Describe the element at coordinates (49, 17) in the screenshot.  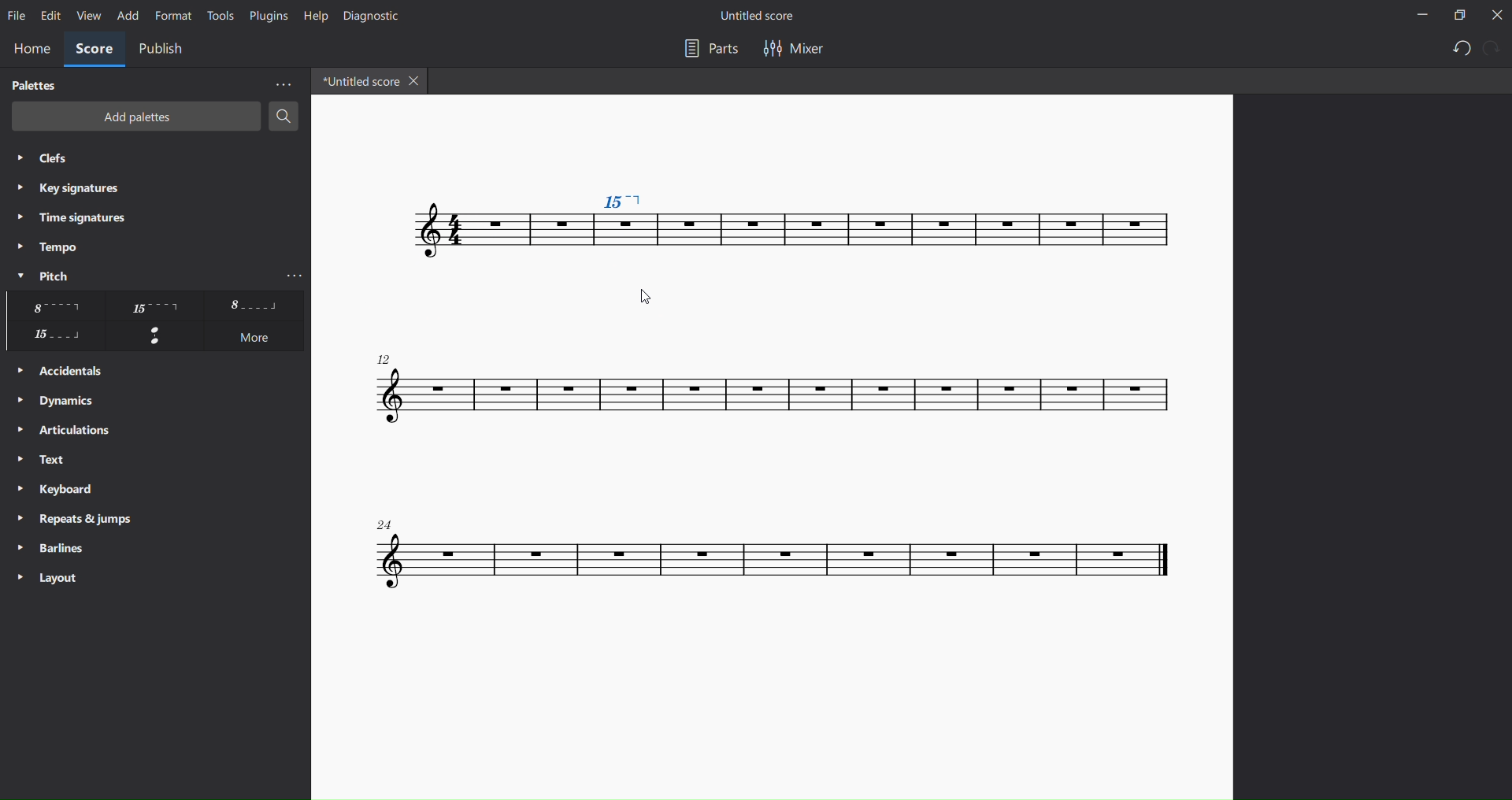
I see `edit` at that location.